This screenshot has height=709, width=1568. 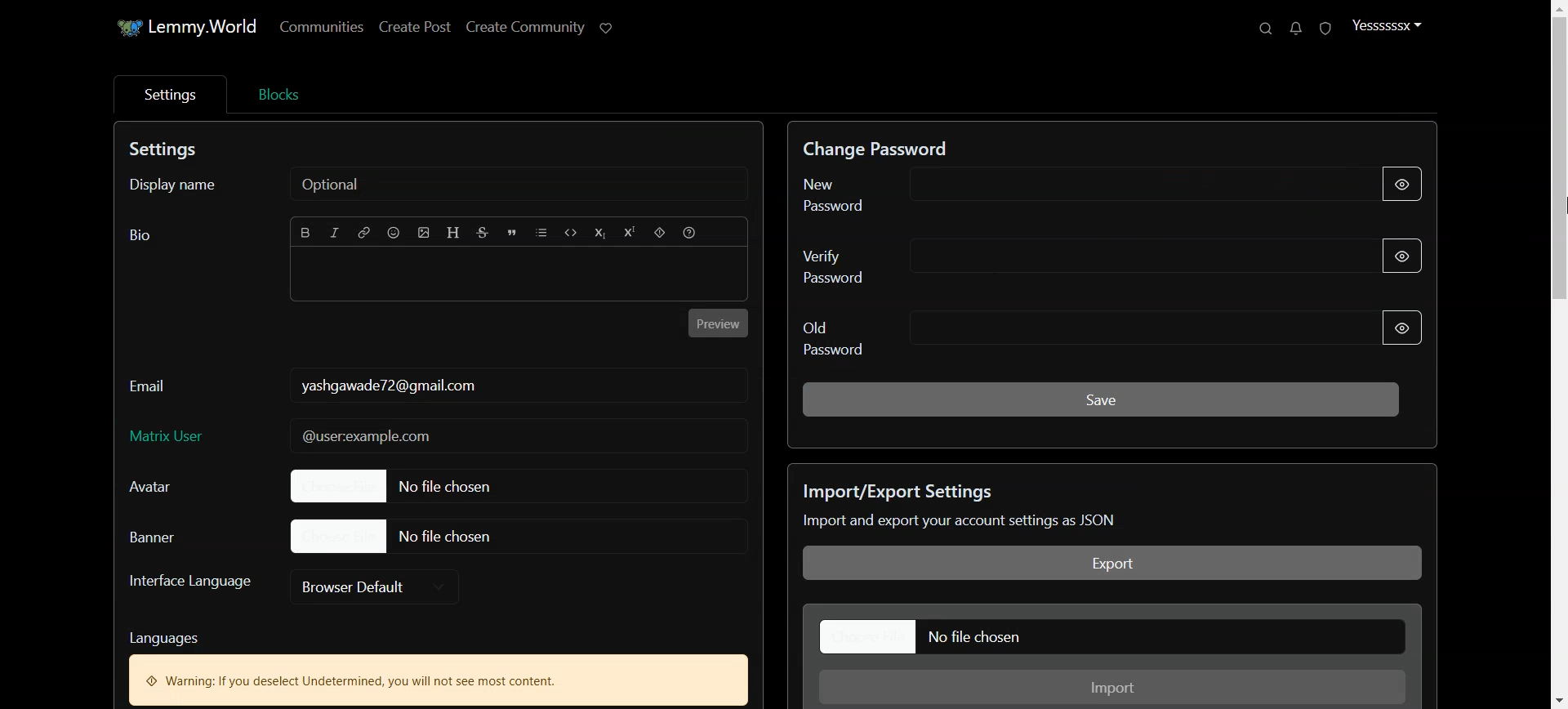 What do you see at coordinates (519, 536) in the screenshot?
I see `File chosen` at bounding box center [519, 536].